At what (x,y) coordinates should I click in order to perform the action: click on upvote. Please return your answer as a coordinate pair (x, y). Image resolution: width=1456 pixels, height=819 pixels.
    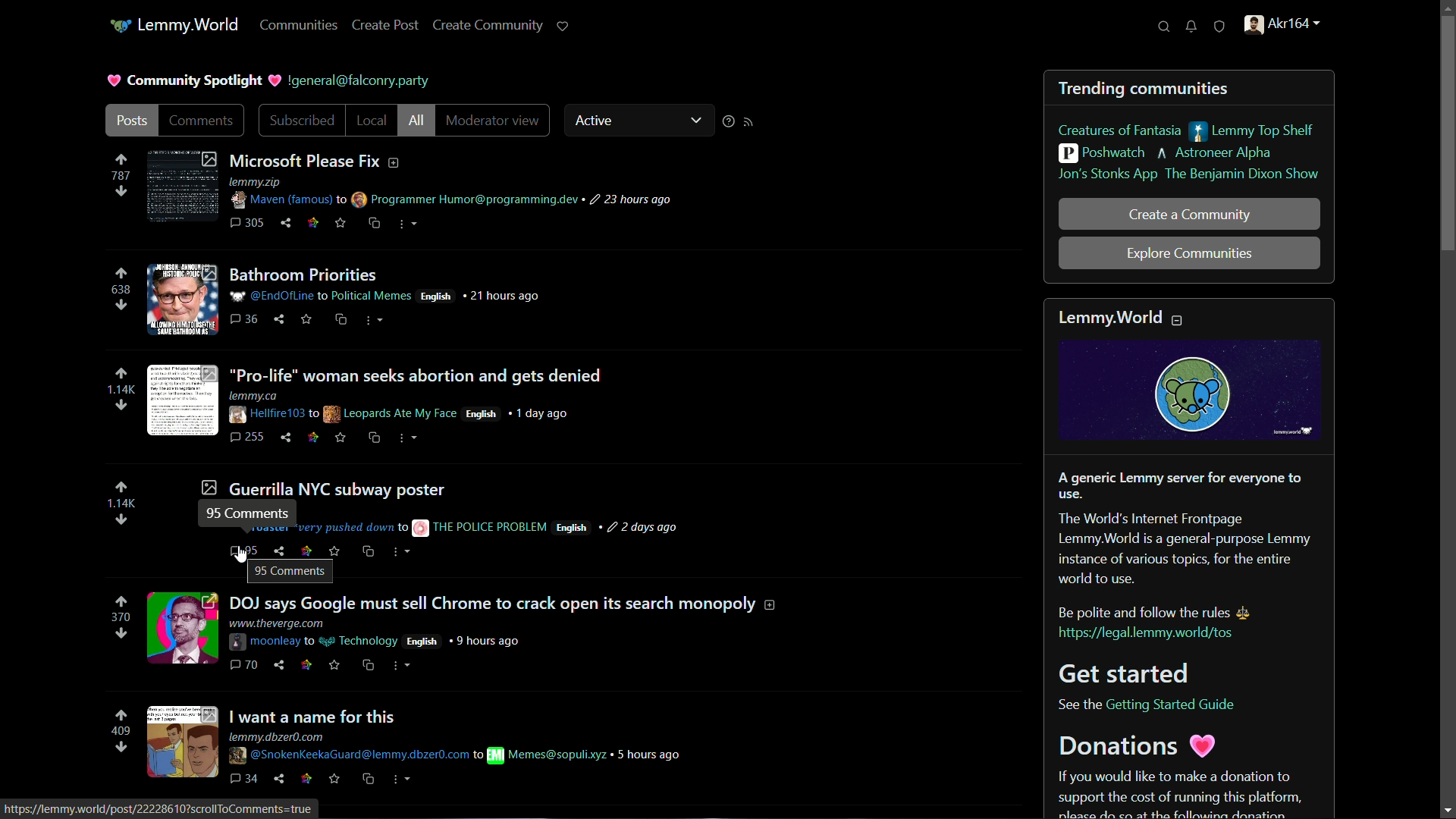
    Looking at the image, I should click on (121, 272).